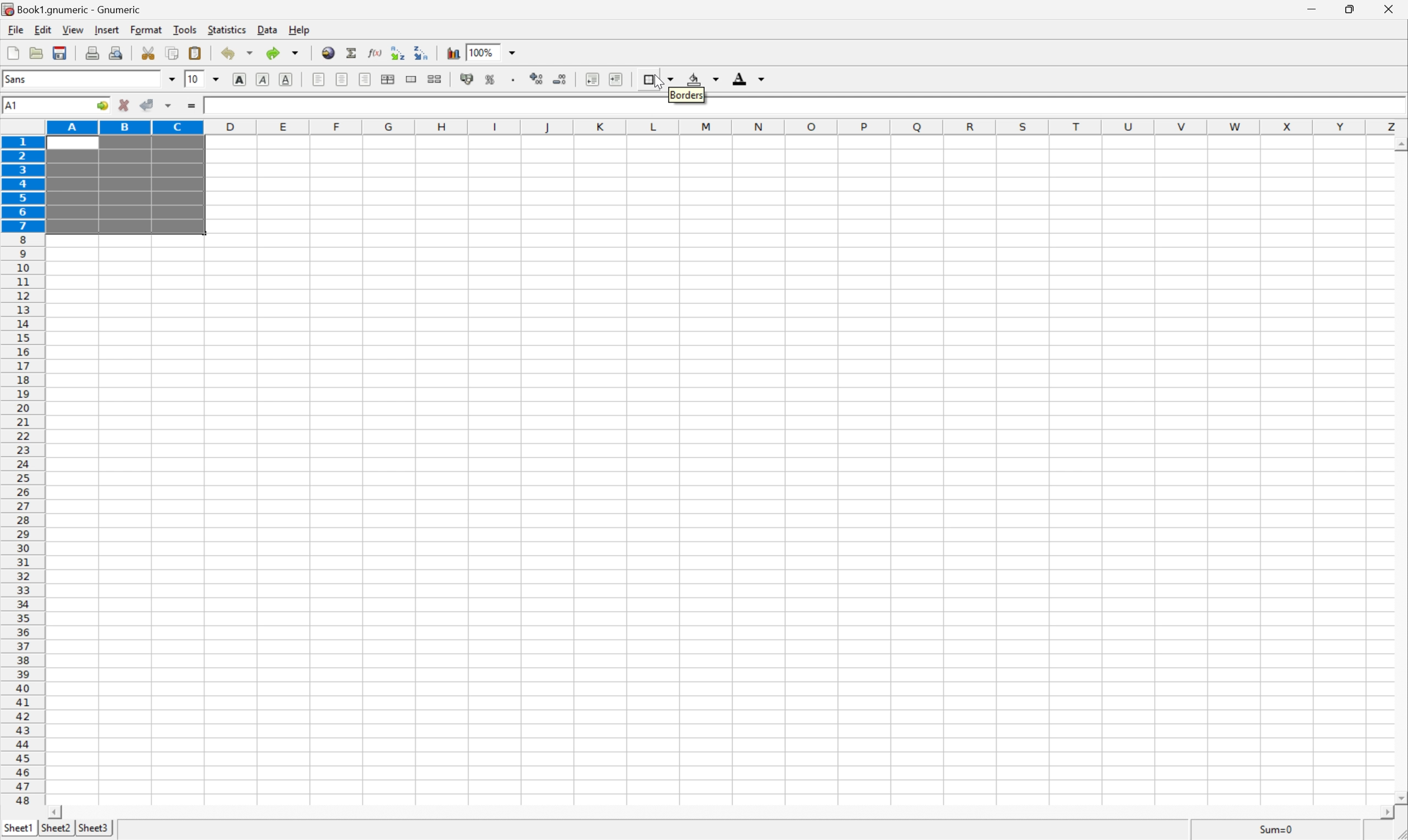  Describe the element at coordinates (173, 52) in the screenshot. I see `copy` at that location.